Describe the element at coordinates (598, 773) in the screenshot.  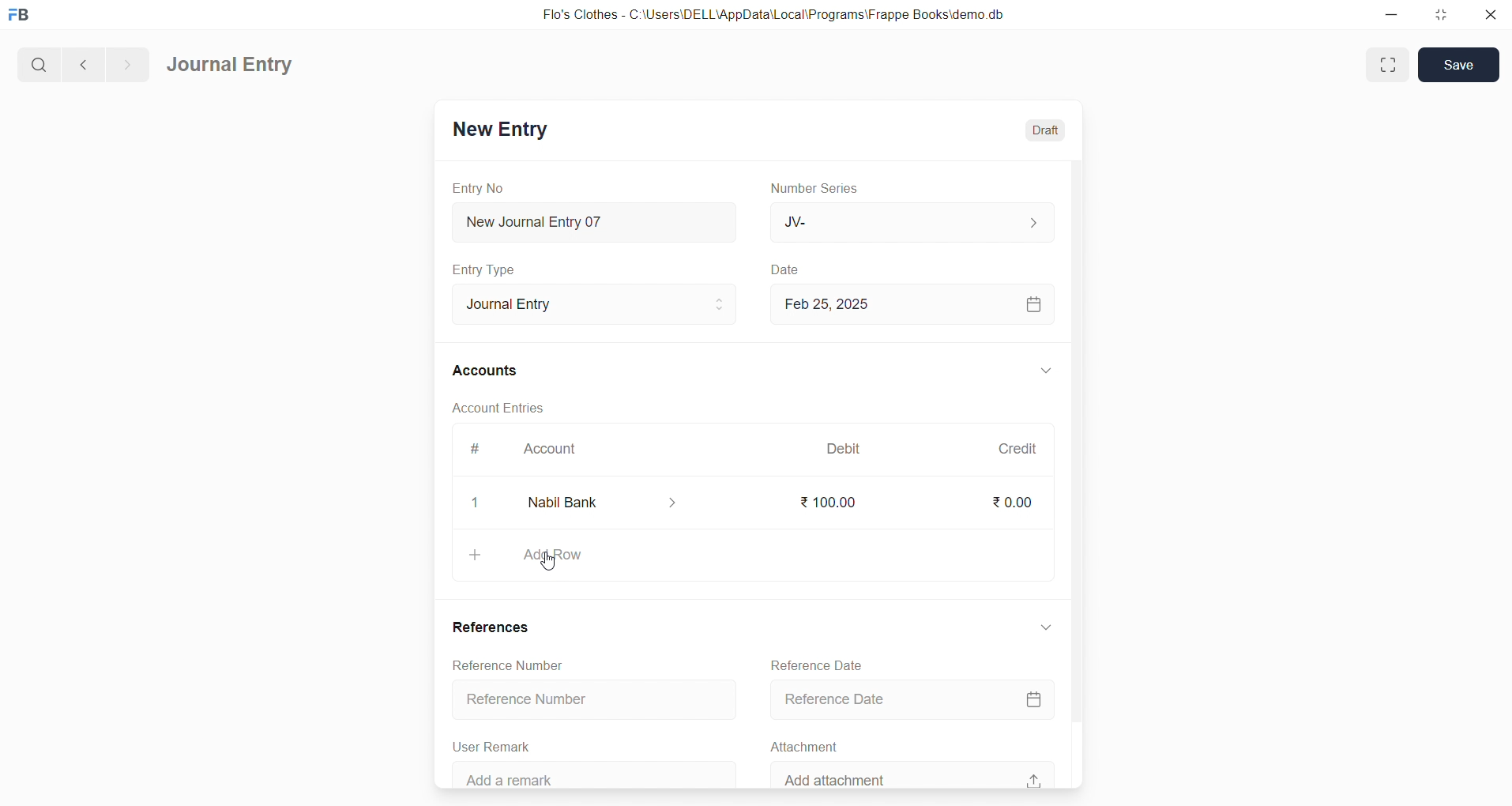
I see `‘Add a remark` at that location.